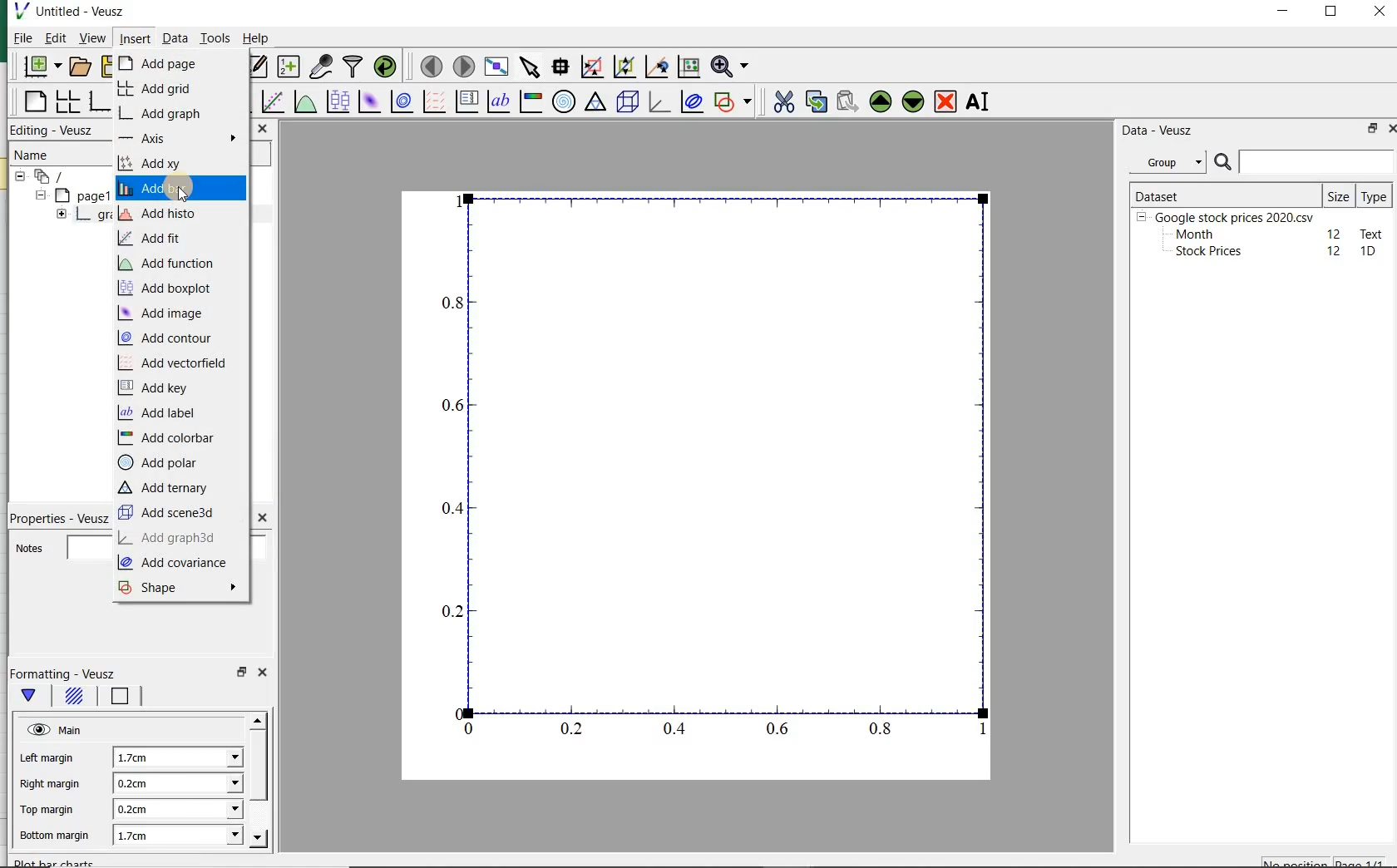 The height and width of the screenshot is (868, 1397). Describe the element at coordinates (261, 672) in the screenshot. I see `close` at that location.